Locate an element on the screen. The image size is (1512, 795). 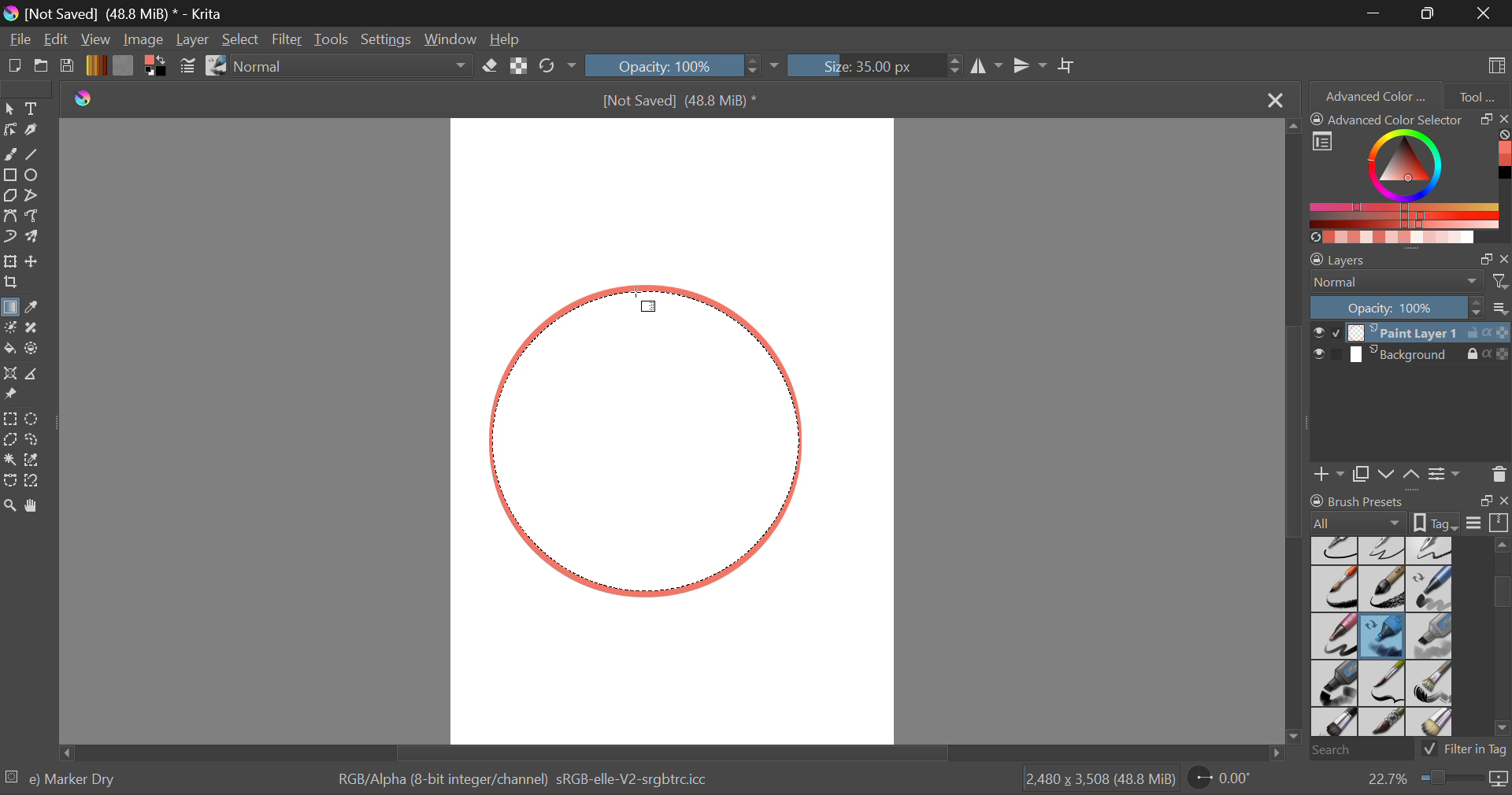
Minimize is located at coordinates (1431, 13).